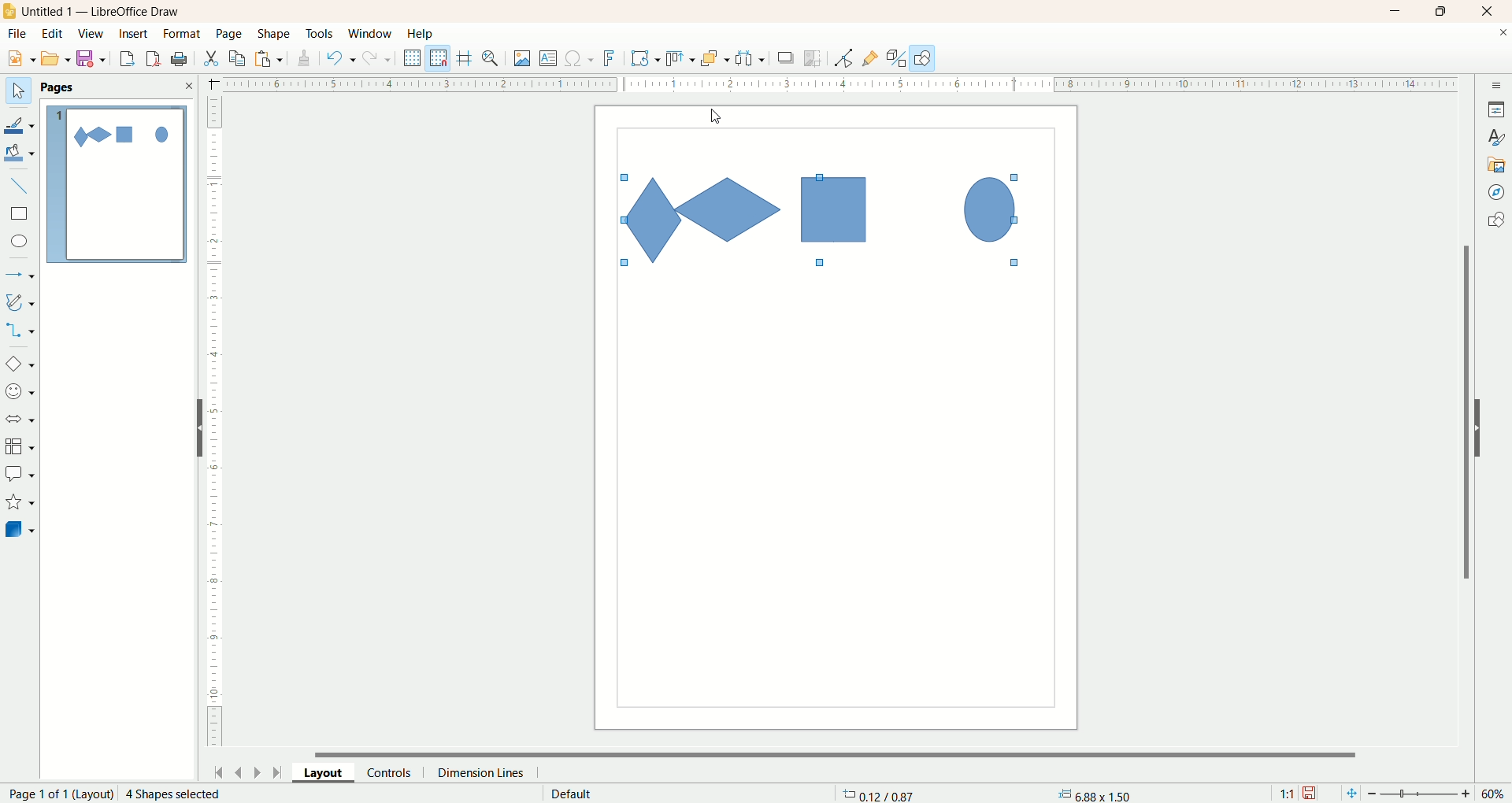  I want to click on gluepoint function, so click(870, 59).